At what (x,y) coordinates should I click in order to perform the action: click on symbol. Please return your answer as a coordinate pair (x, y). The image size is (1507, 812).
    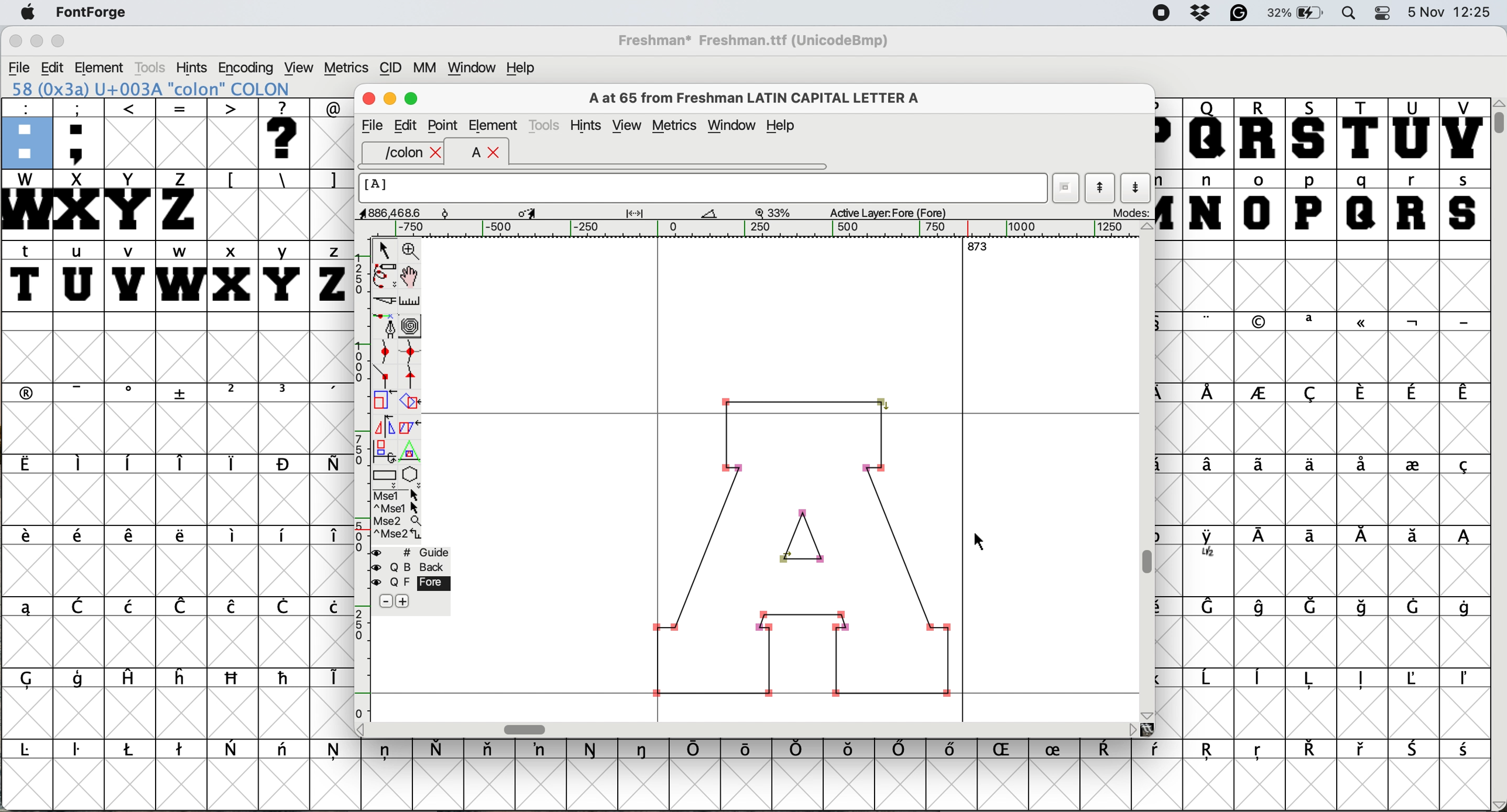
    Looking at the image, I should click on (1363, 607).